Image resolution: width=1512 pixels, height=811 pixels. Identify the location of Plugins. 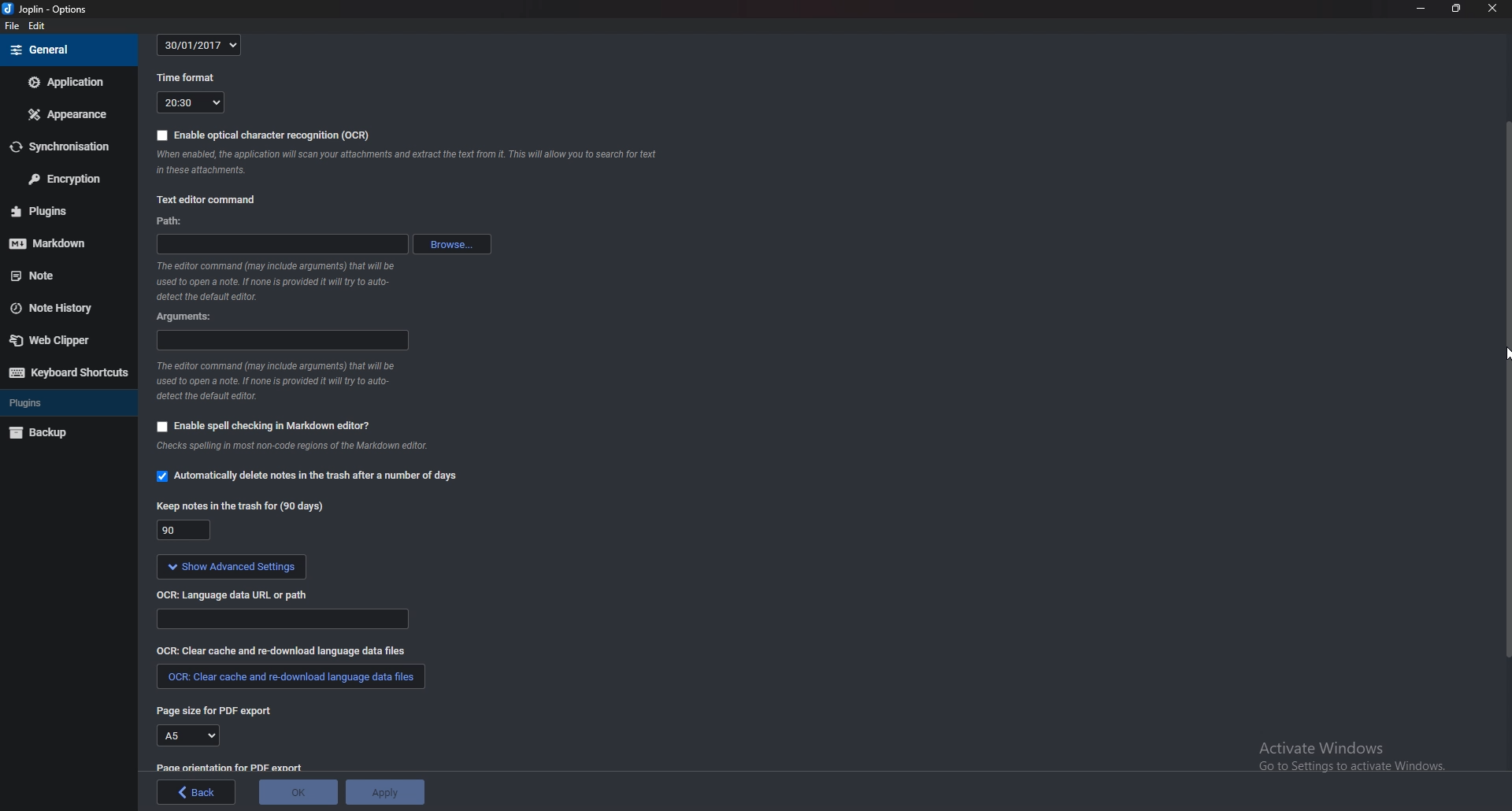
(55, 212).